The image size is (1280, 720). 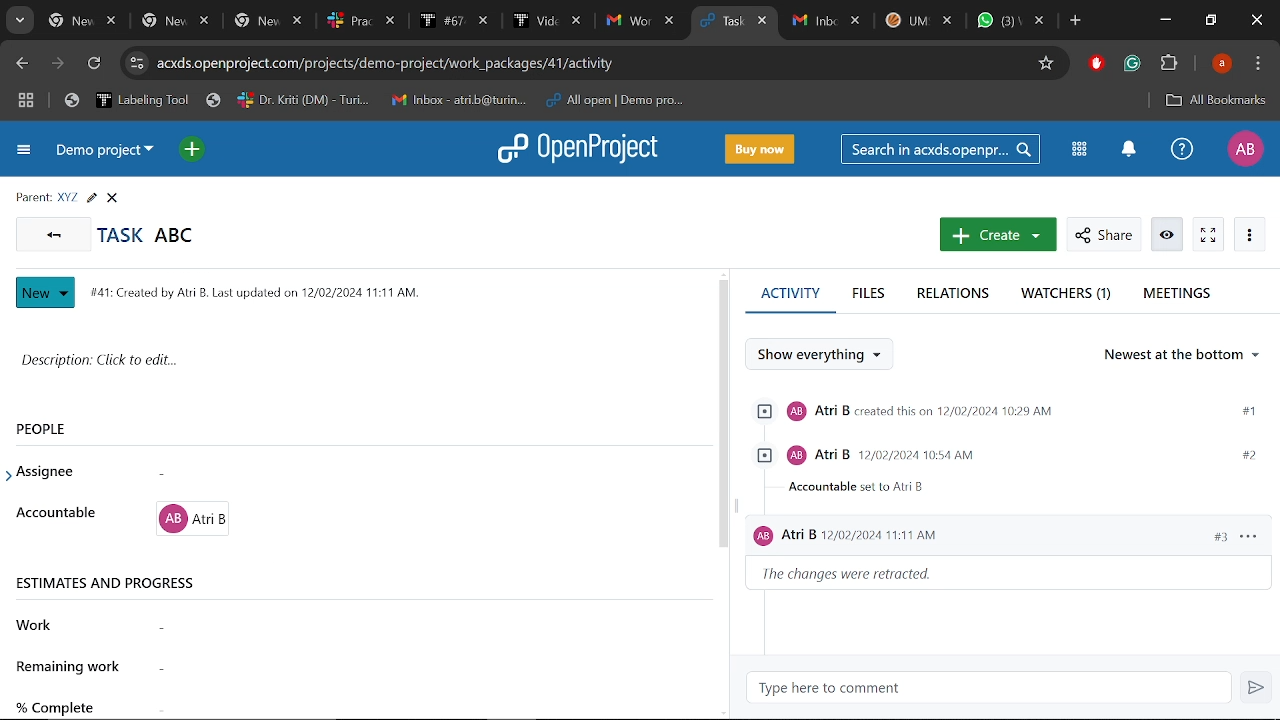 What do you see at coordinates (1164, 22) in the screenshot?
I see `Minimize` at bounding box center [1164, 22].